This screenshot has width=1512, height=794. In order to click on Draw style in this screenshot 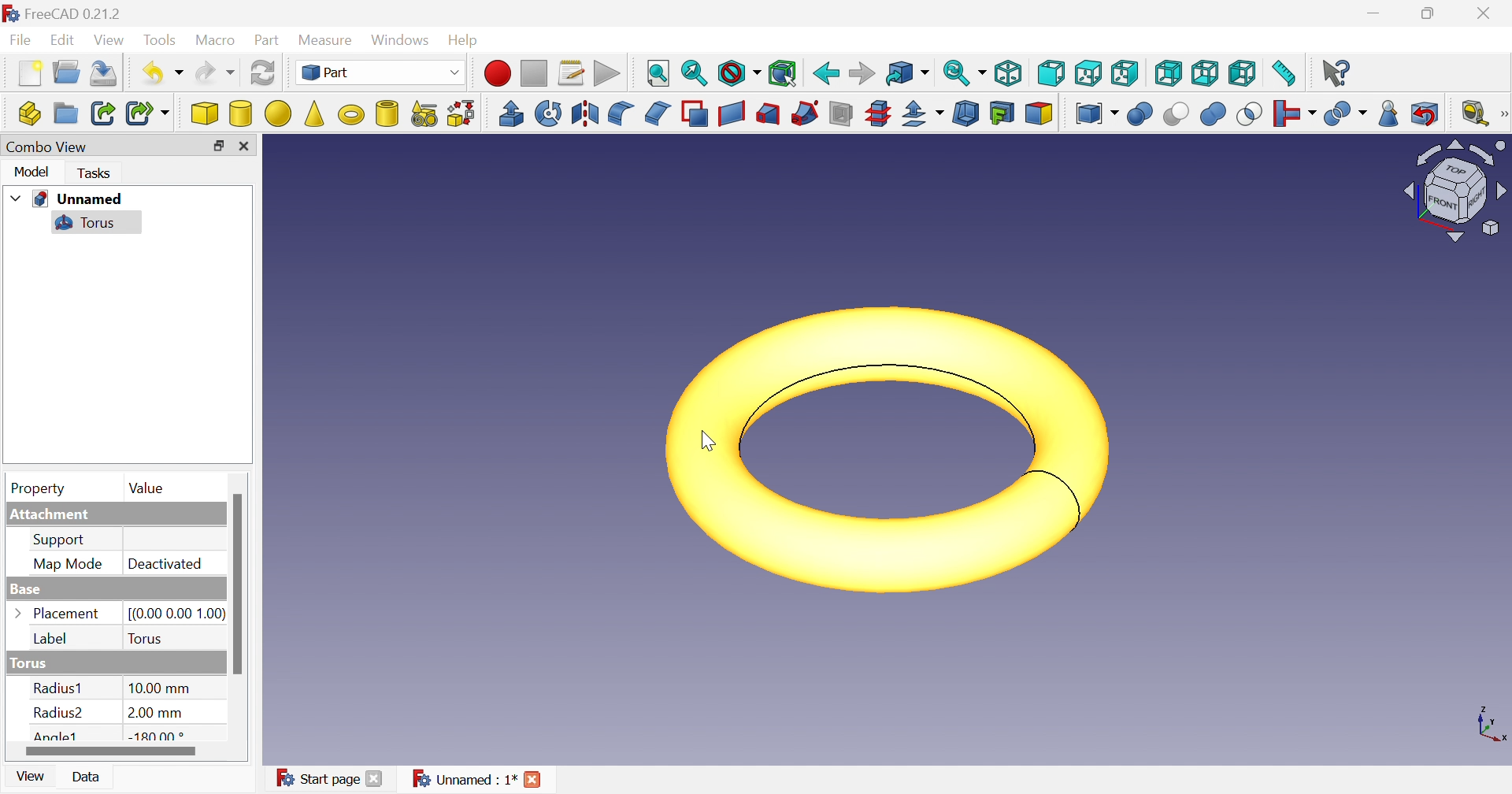, I will do `click(739, 72)`.